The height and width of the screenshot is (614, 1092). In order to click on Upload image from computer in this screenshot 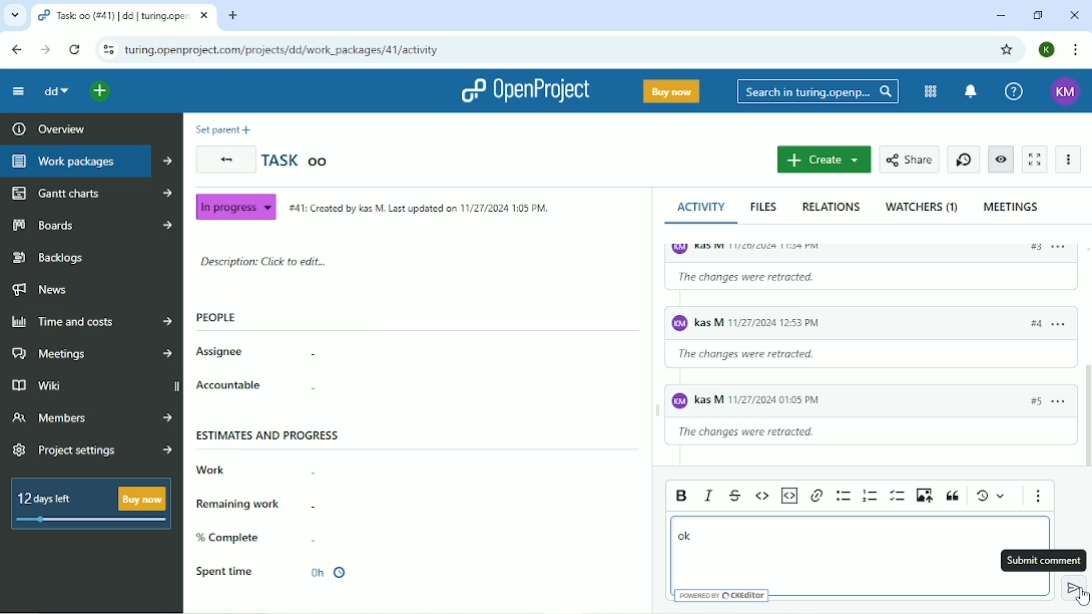, I will do `click(924, 495)`.